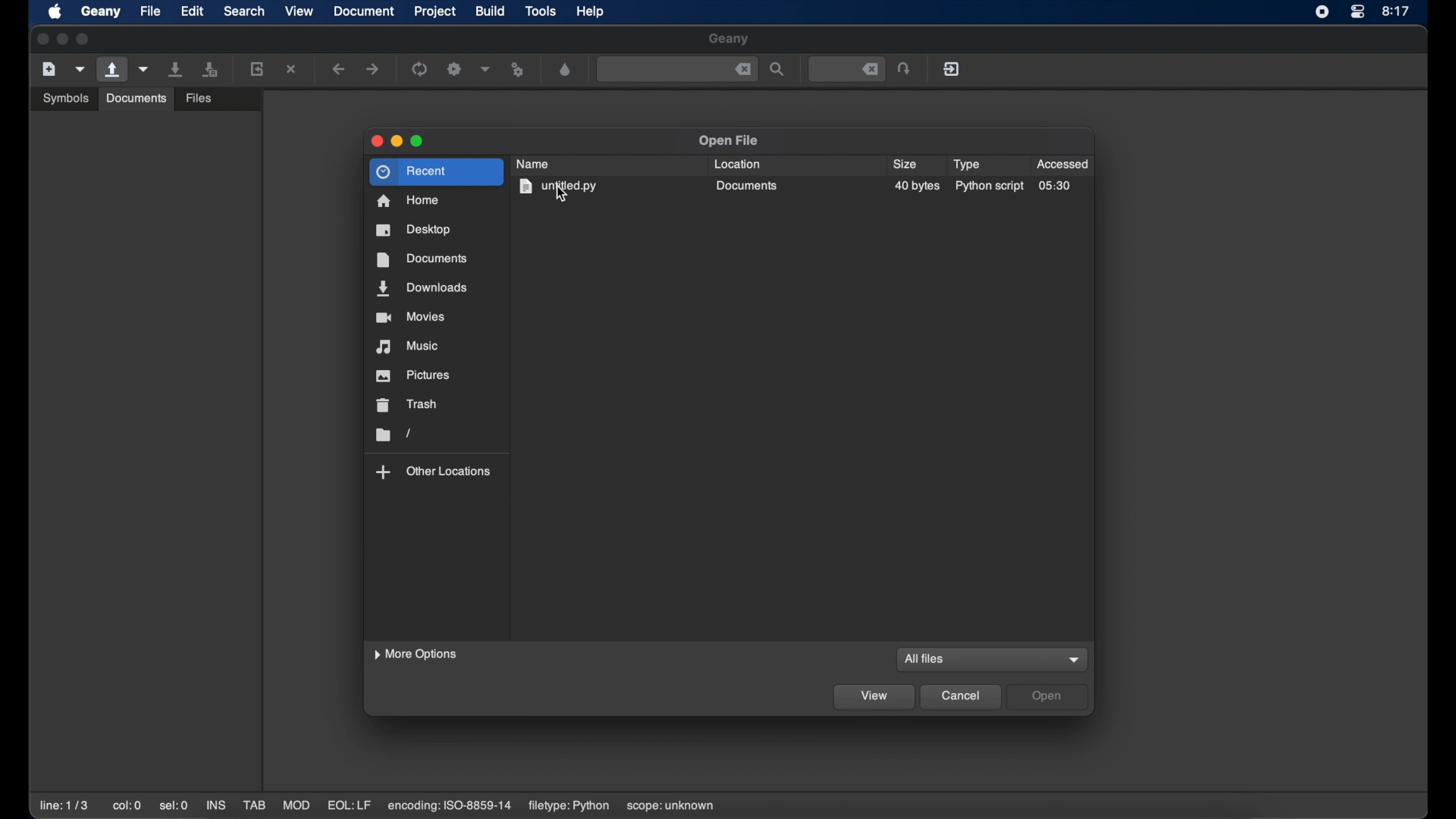 This screenshot has height=819, width=1456. What do you see at coordinates (777, 69) in the screenshot?
I see `find the entered text in current file` at bounding box center [777, 69].